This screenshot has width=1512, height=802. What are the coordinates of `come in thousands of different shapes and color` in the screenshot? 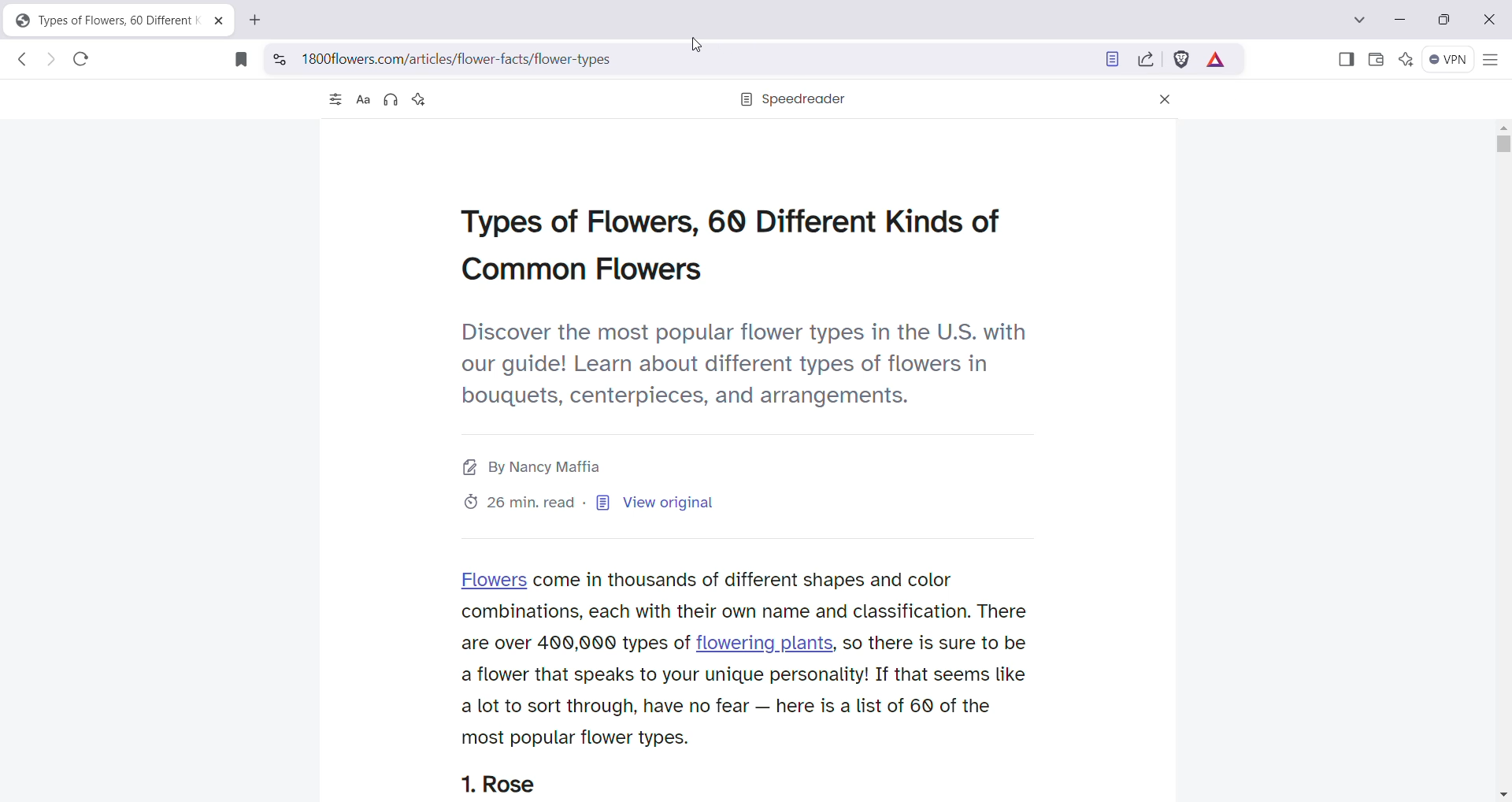 It's located at (744, 580).